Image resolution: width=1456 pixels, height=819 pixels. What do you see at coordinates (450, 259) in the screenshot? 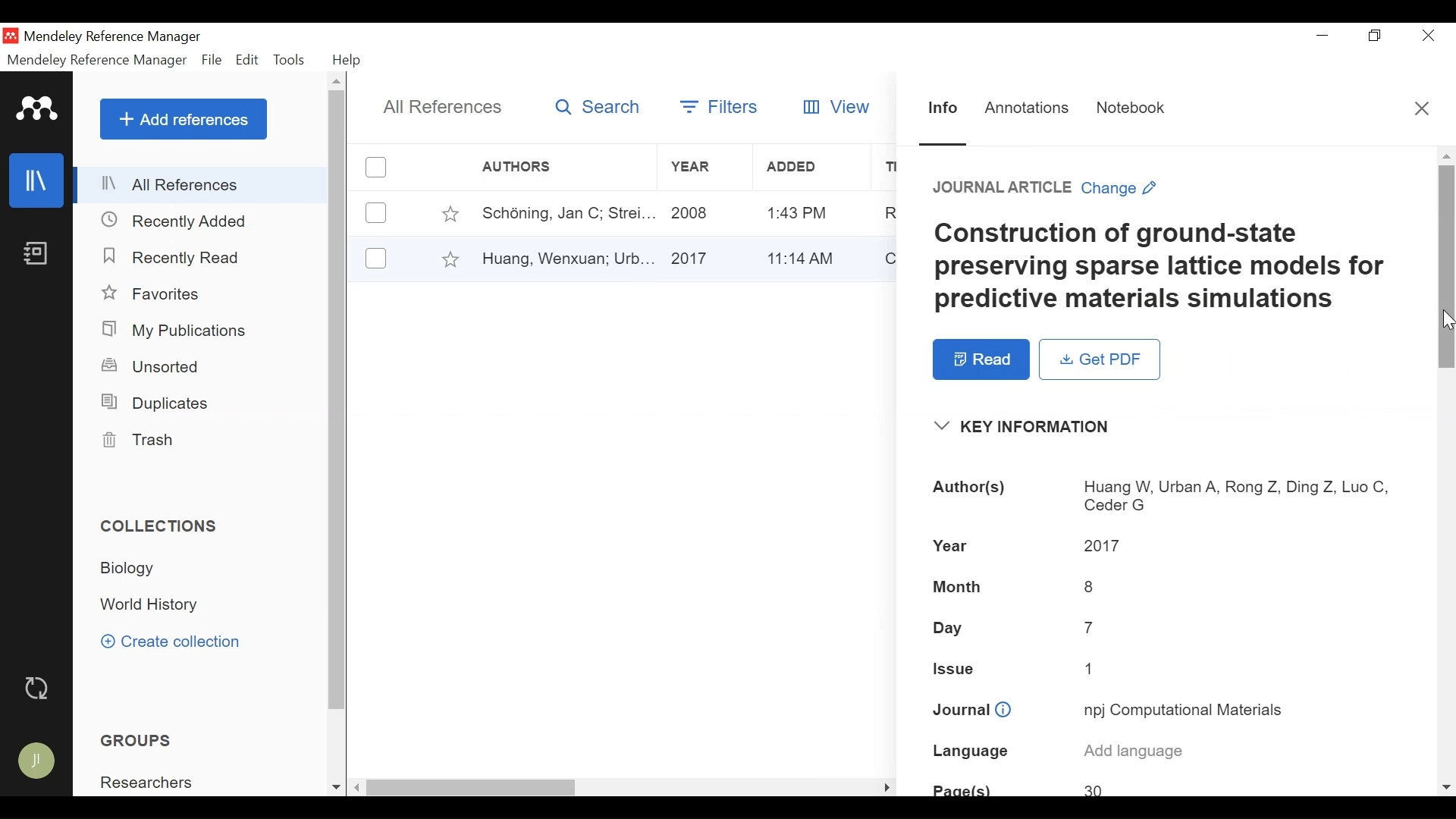
I see `Toggle Favorites` at bounding box center [450, 259].